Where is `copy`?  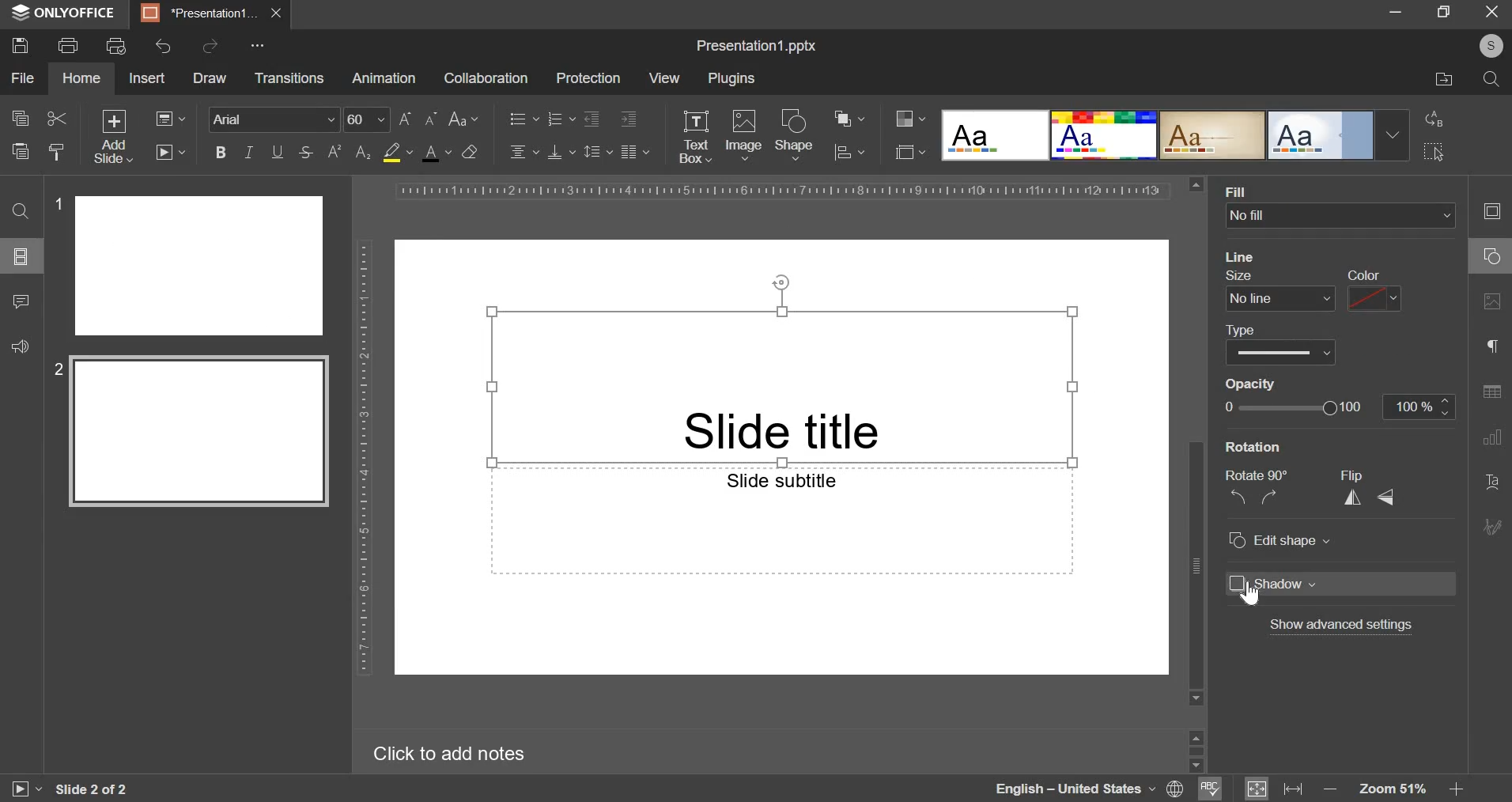 copy is located at coordinates (20, 119).